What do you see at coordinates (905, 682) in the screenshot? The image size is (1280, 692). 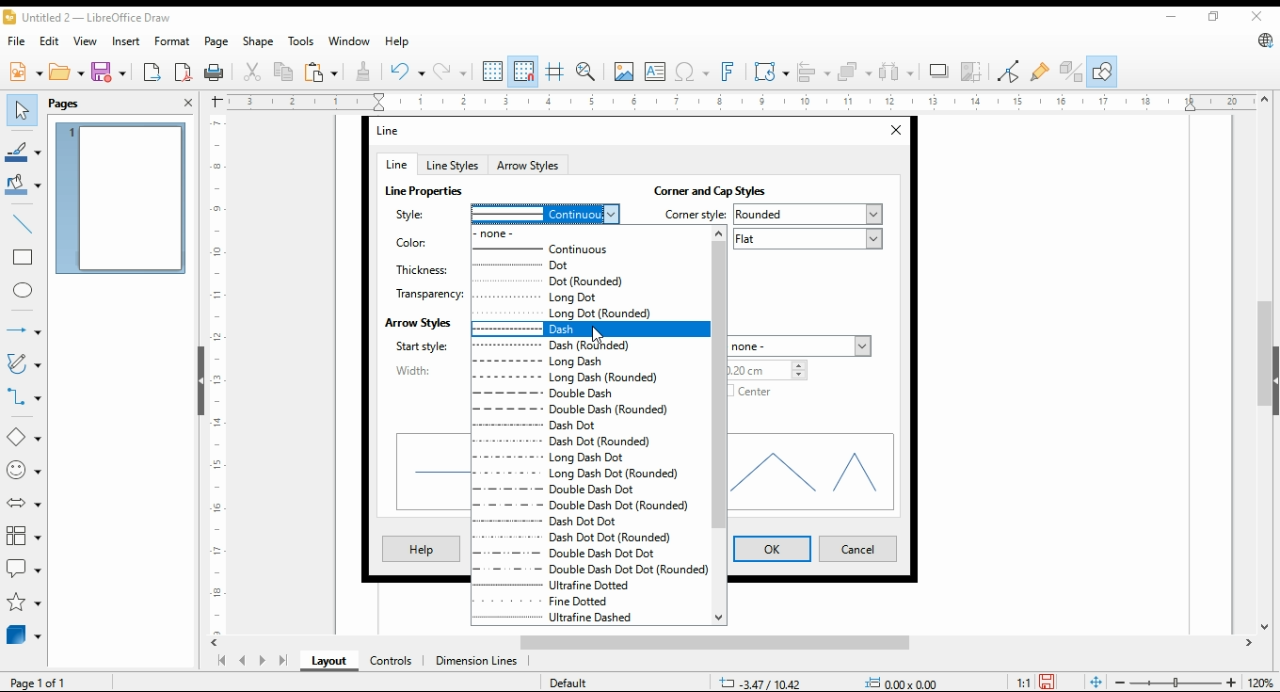 I see `0.00x0.00` at bounding box center [905, 682].